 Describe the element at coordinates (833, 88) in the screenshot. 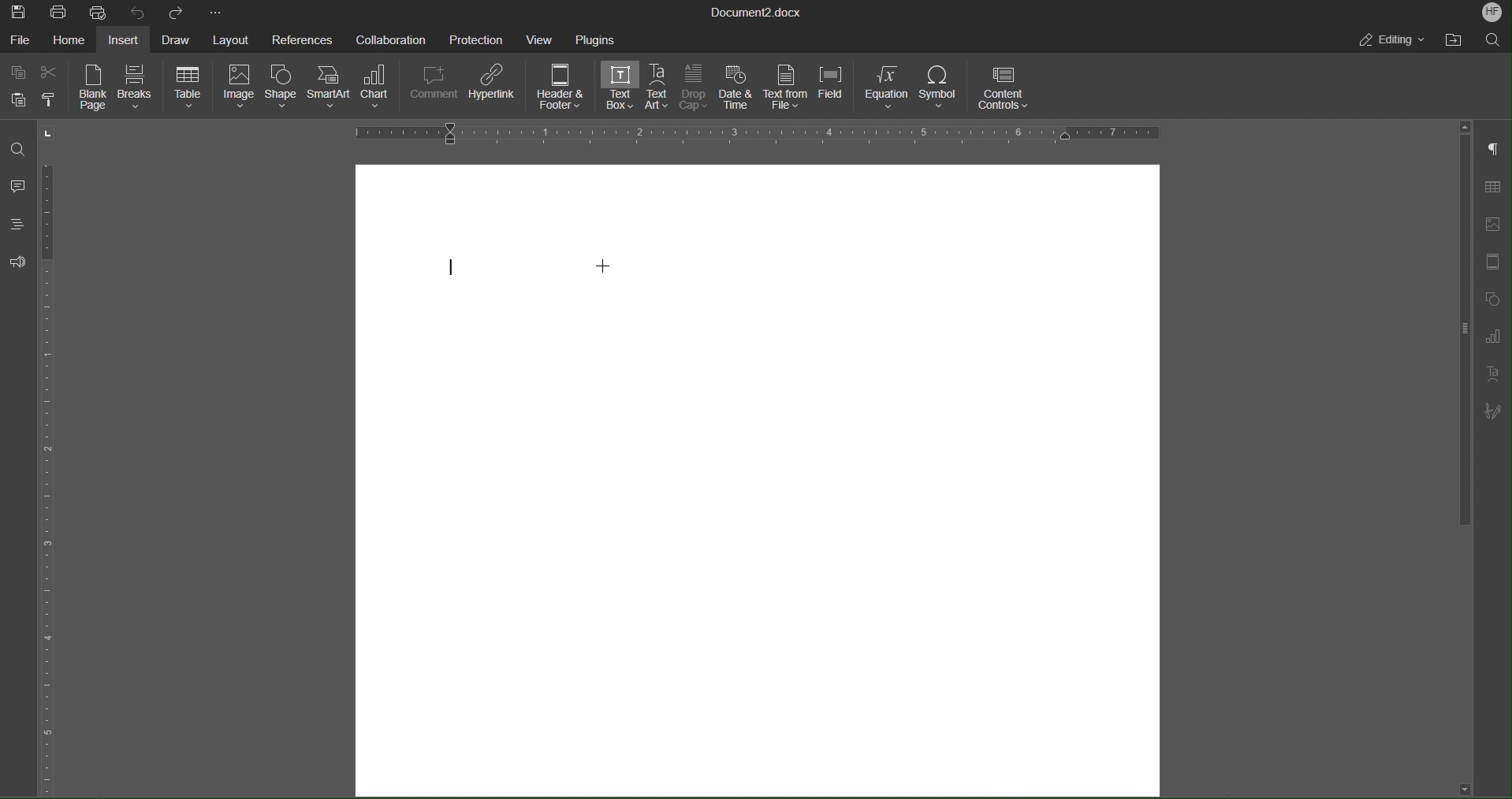

I see `Field` at that location.